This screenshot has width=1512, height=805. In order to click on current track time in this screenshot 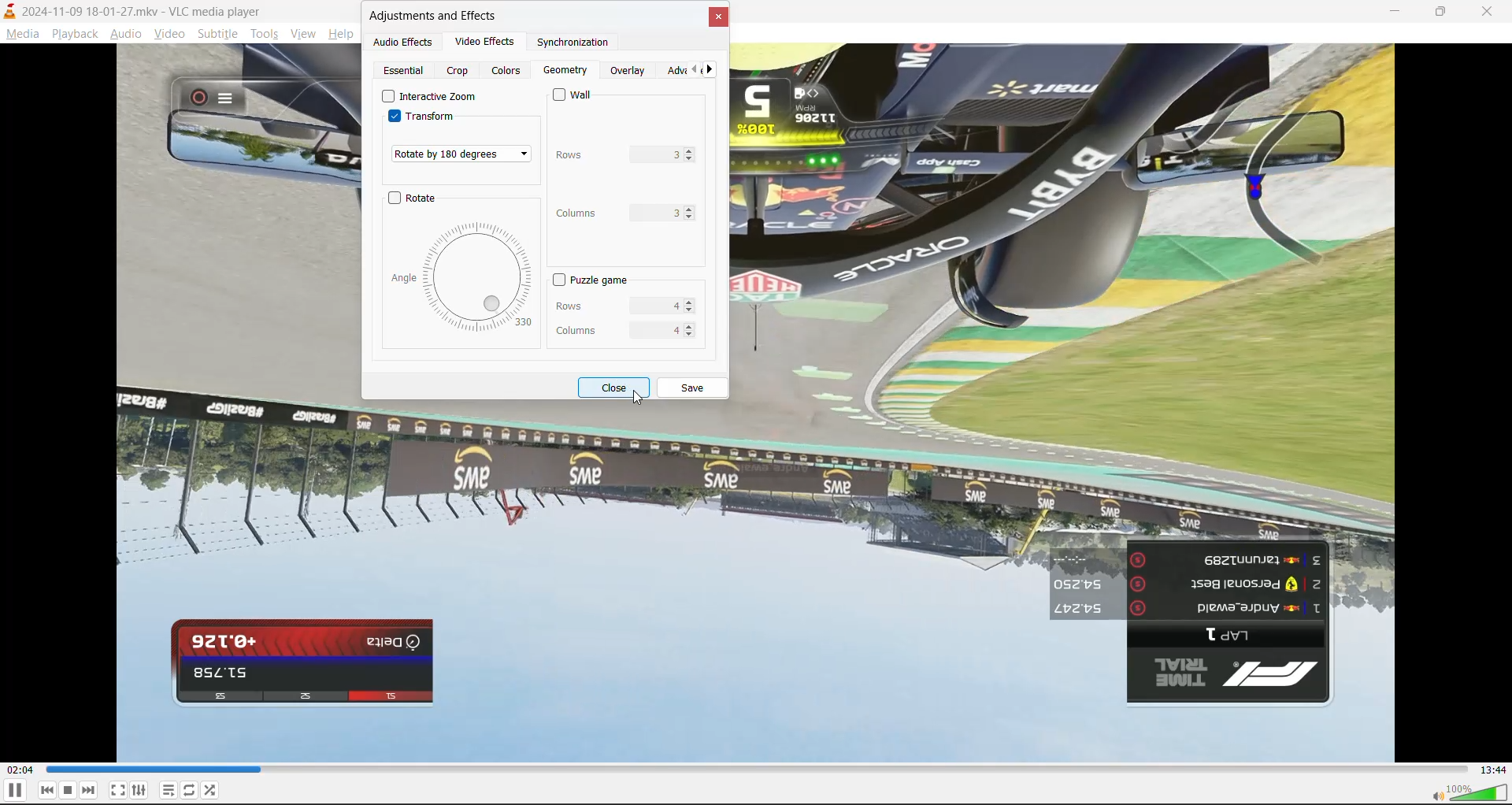, I will do `click(18, 768)`.